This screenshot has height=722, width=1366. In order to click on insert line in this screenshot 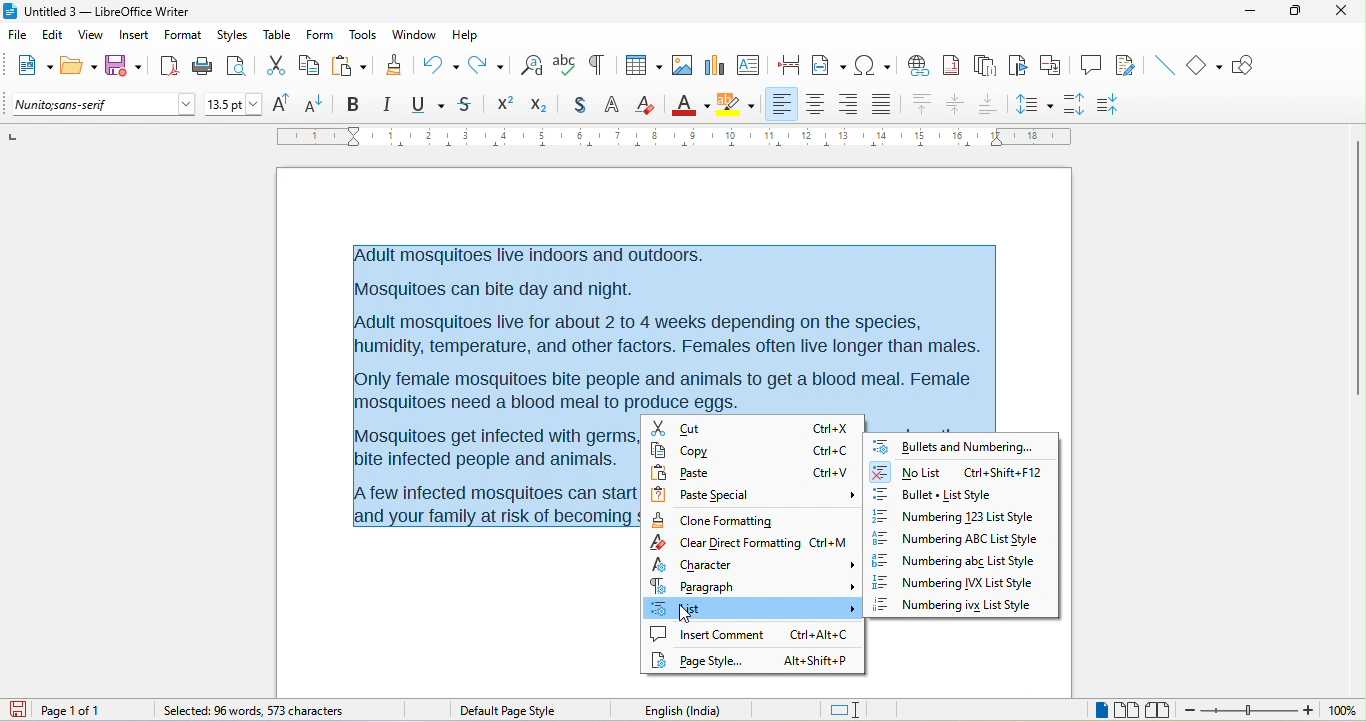, I will do `click(1163, 64)`.